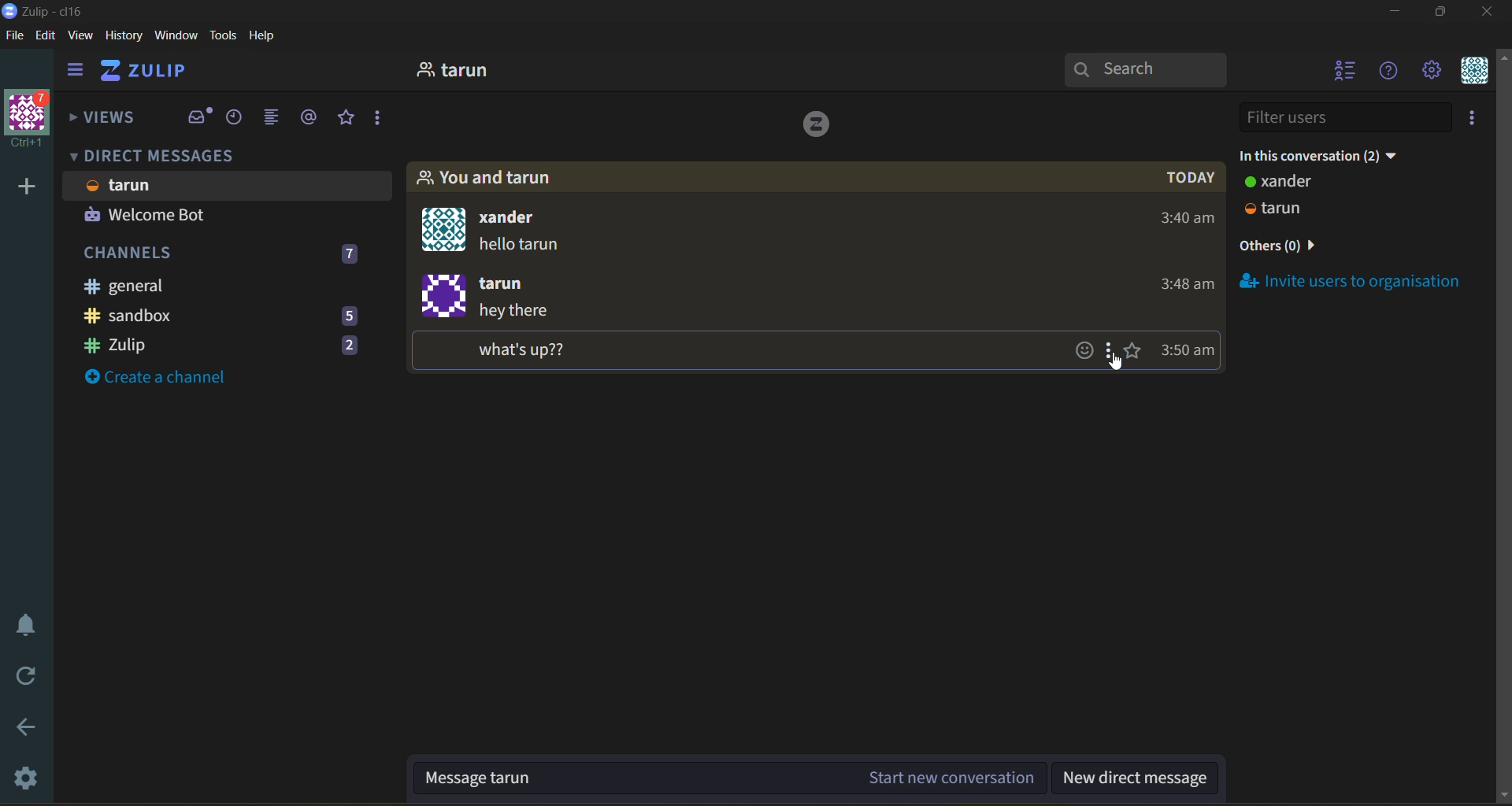  What do you see at coordinates (1488, 13) in the screenshot?
I see `close` at bounding box center [1488, 13].